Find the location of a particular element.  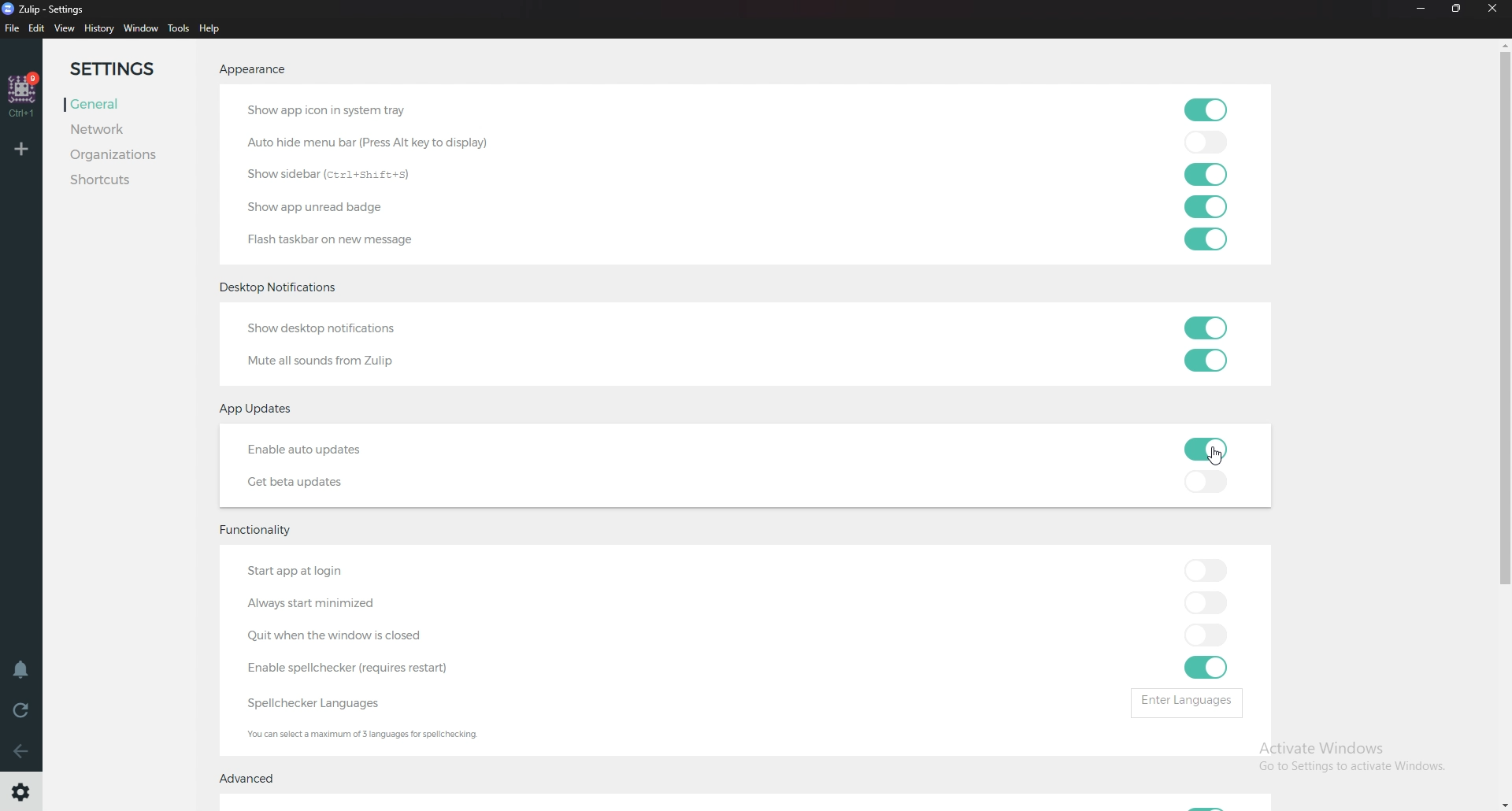

enable spell checker is located at coordinates (347, 668).